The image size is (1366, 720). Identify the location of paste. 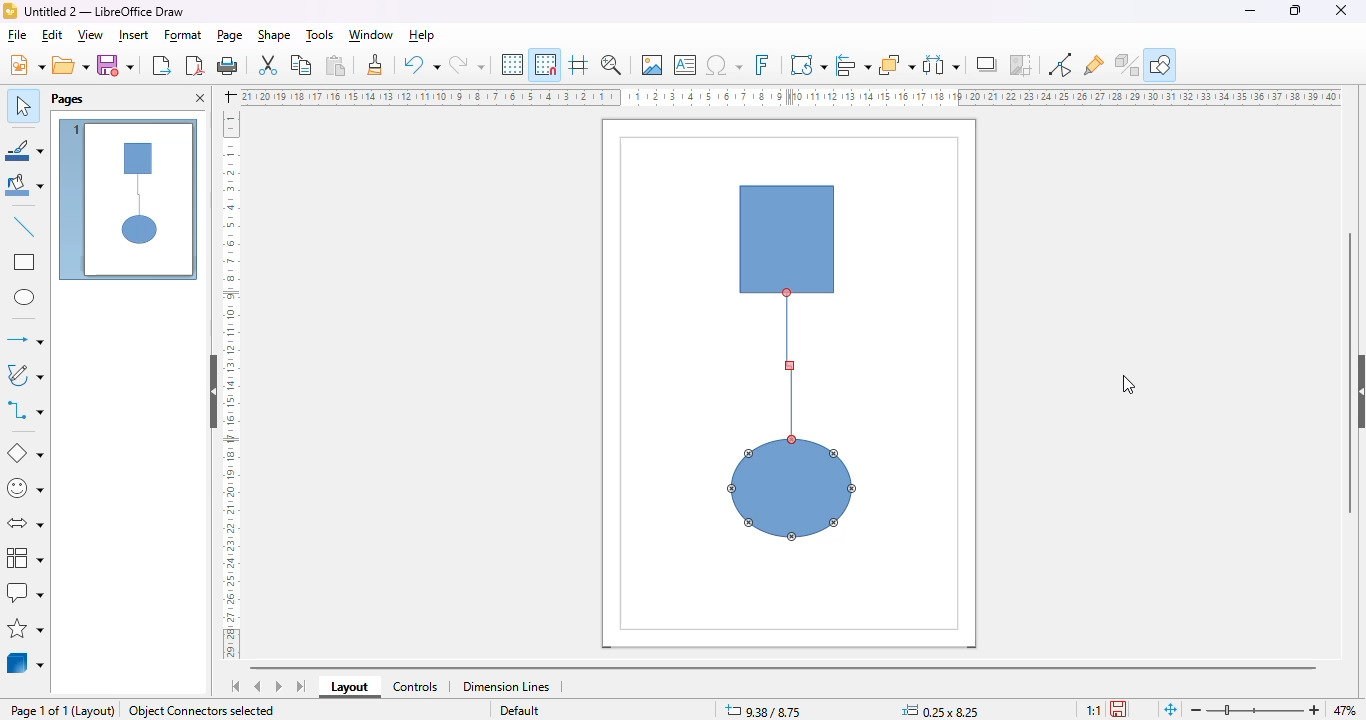
(336, 65).